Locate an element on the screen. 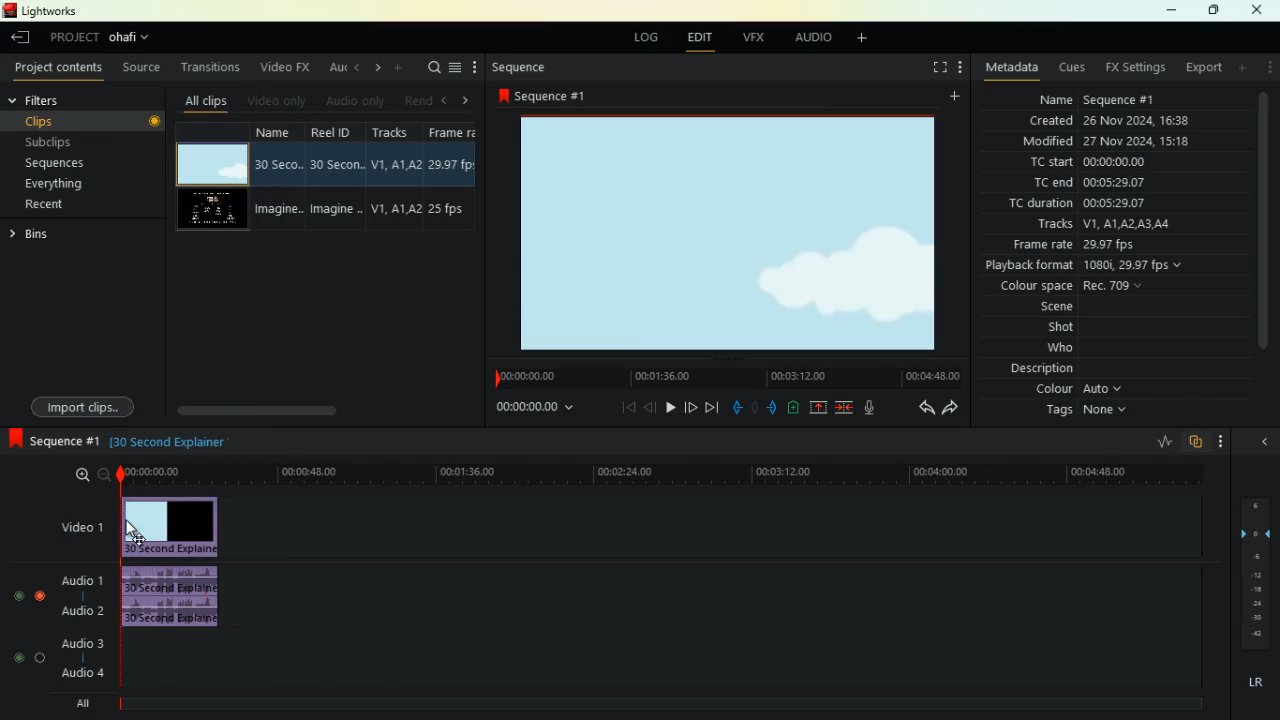 The width and height of the screenshot is (1280, 720). sequence is located at coordinates (533, 68).